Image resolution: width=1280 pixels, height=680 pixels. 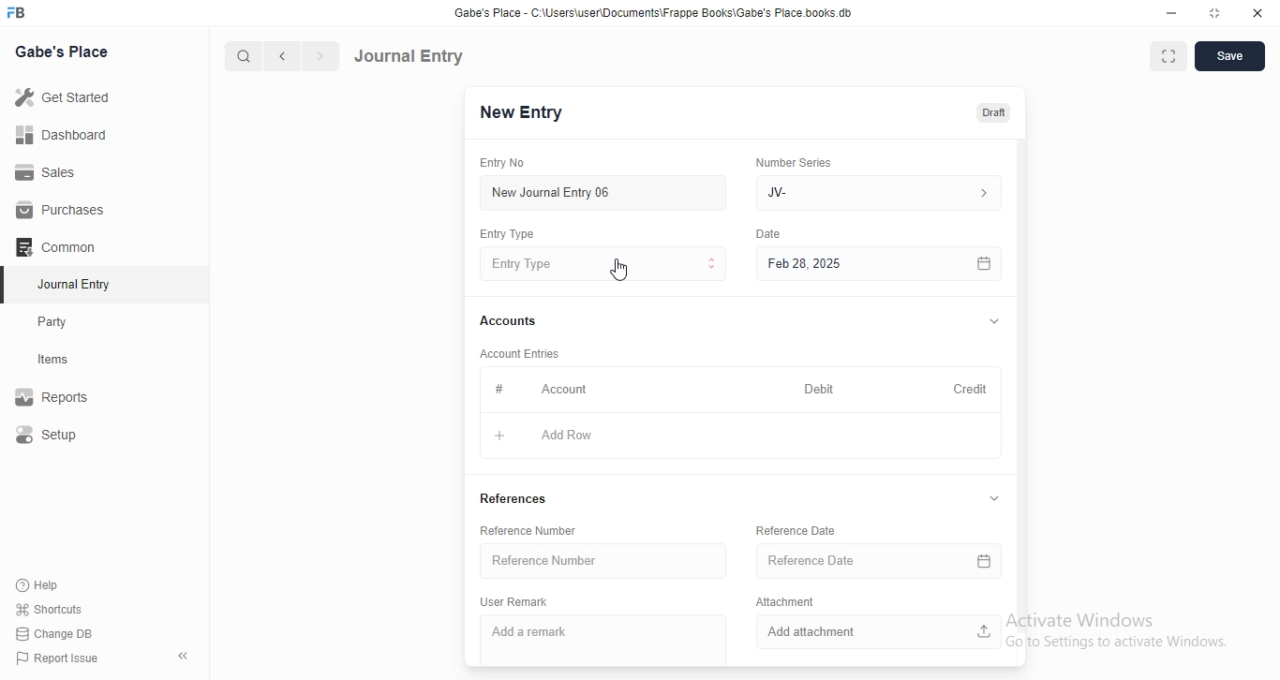 I want to click on calender, so click(x=984, y=263).